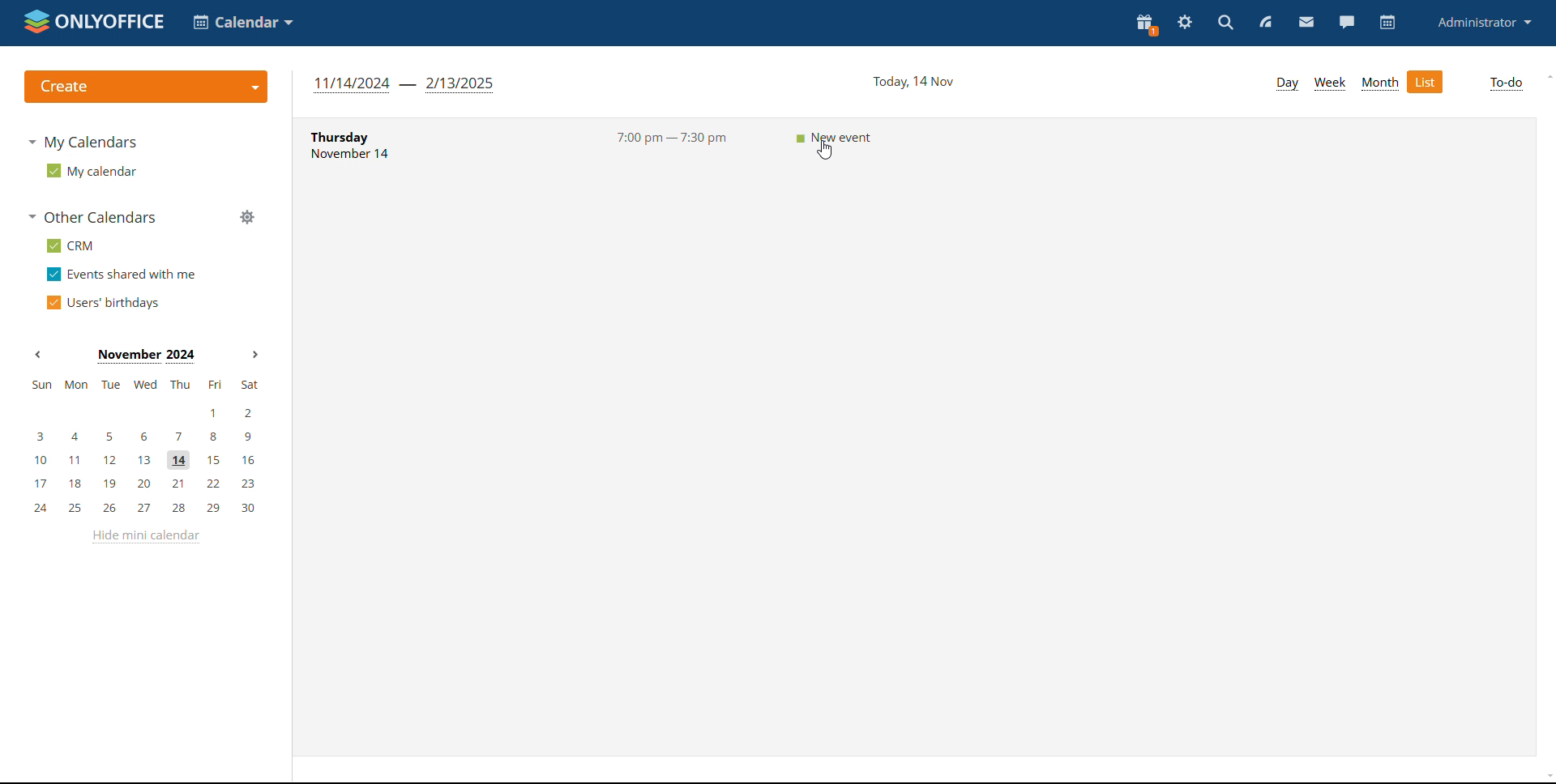 This screenshot has width=1556, height=784. Describe the element at coordinates (146, 540) in the screenshot. I see `hide mini calendar` at that location.